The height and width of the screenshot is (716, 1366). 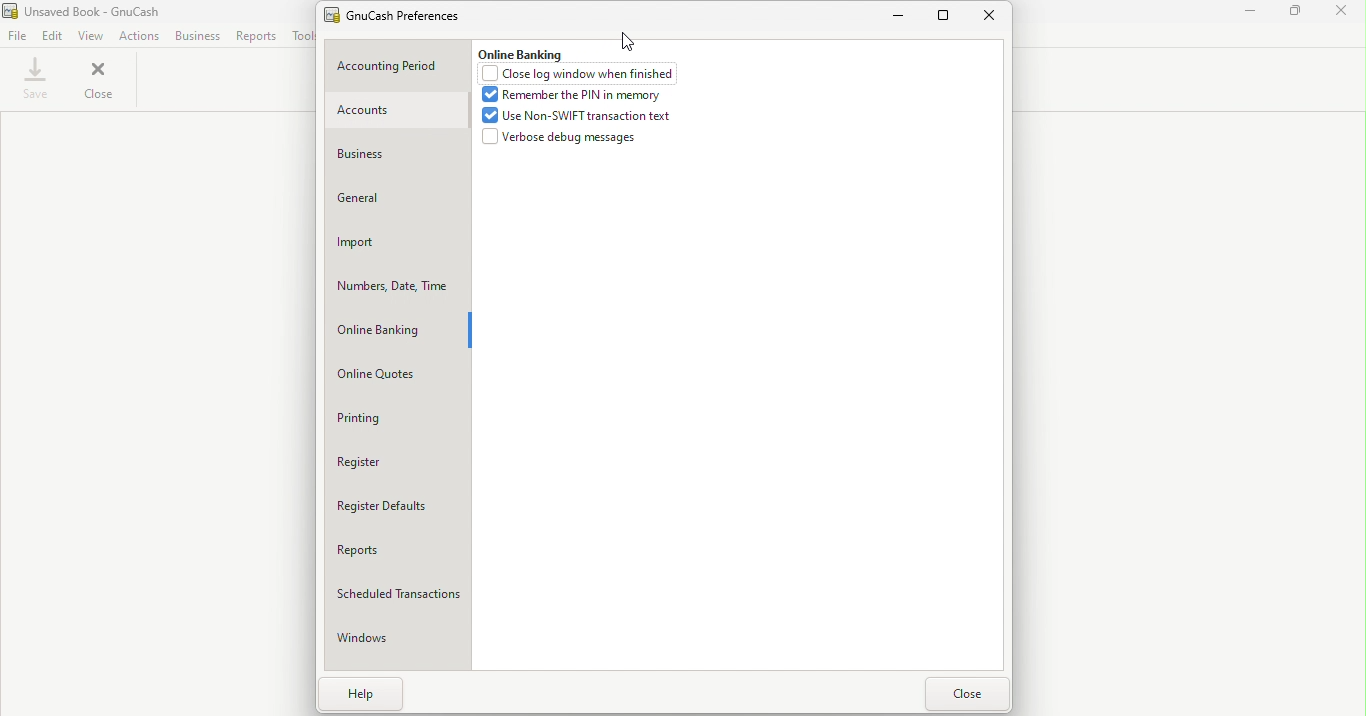 I want to click on Remember the PIN in memory, so click(x=571, y=95).